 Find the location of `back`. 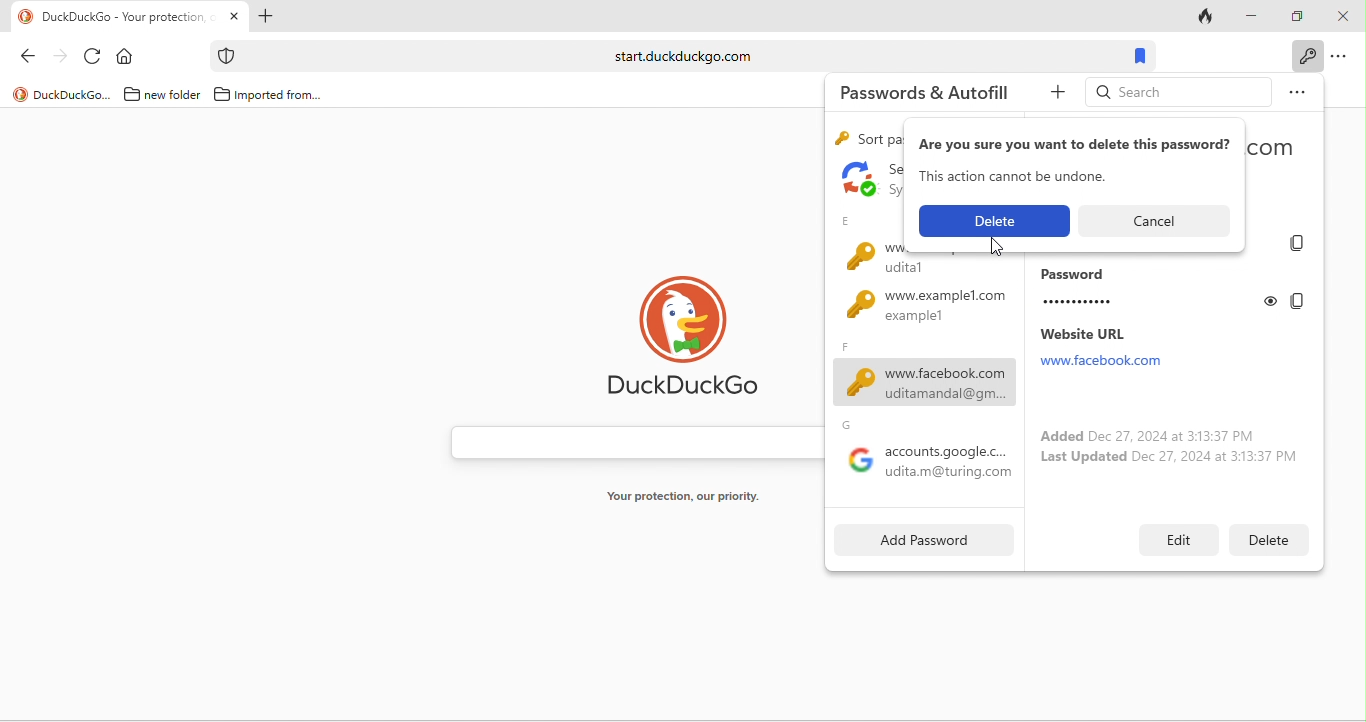

back is located at coordinates (33, 59).